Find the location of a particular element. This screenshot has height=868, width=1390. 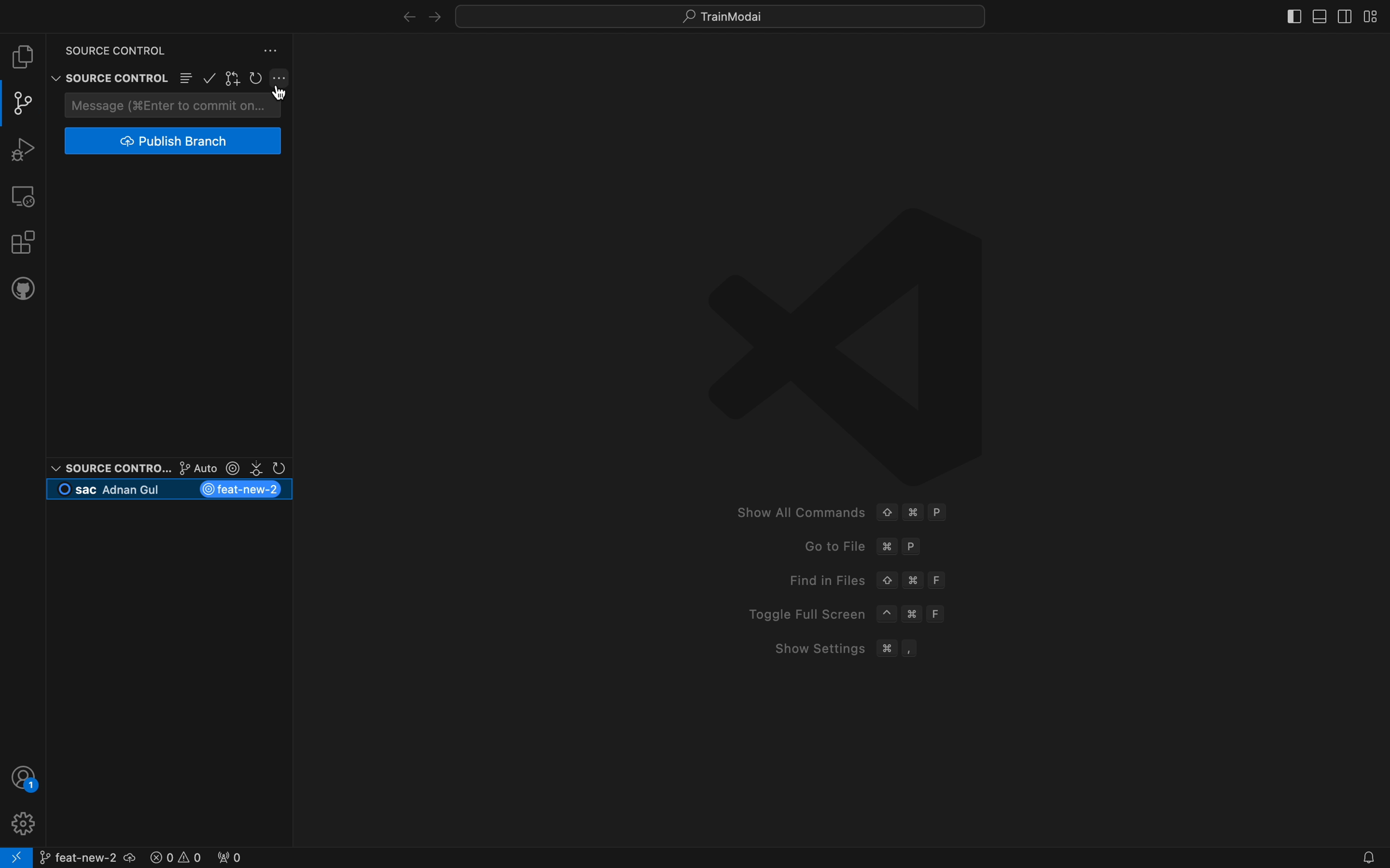

VScode logo is located at coordinates (841, 343).